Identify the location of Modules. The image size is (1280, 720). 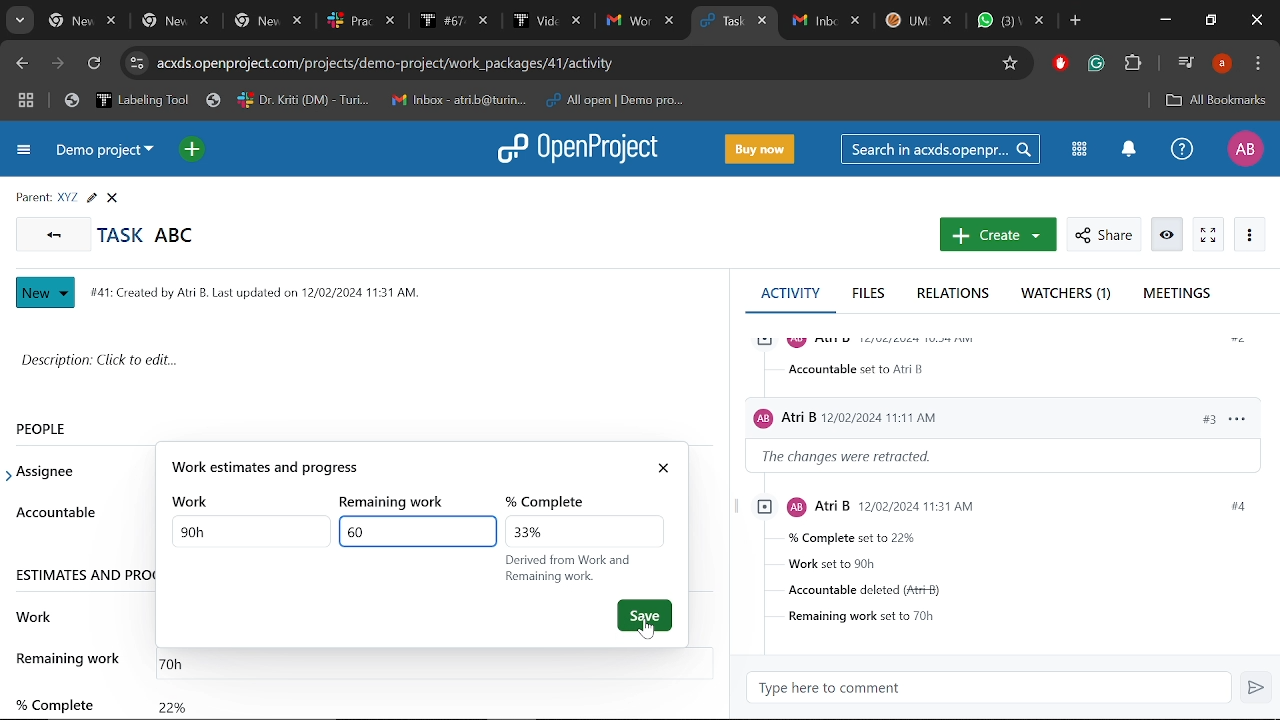
(1079, 149).